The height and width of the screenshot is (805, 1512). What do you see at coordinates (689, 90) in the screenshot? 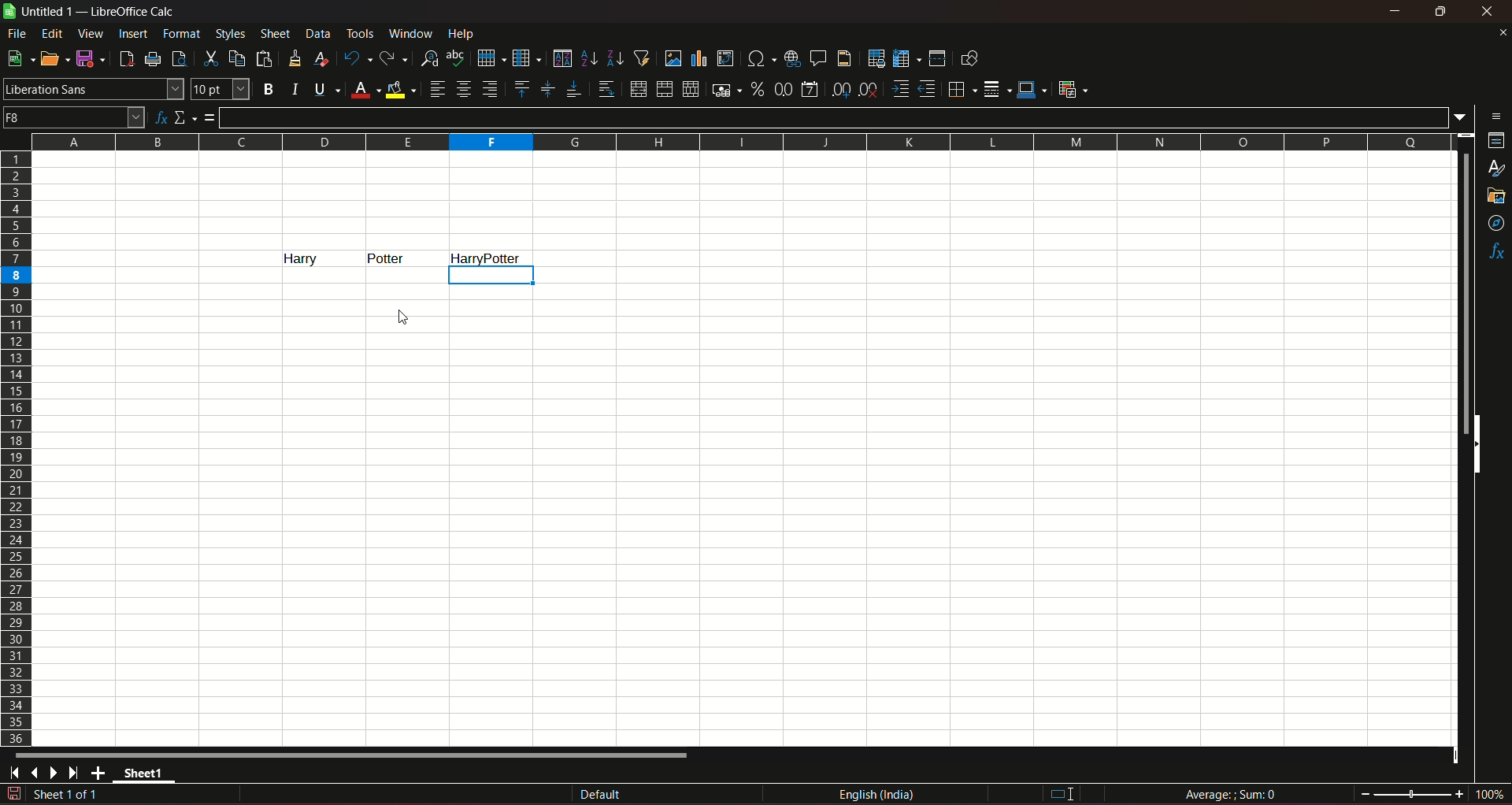
I see `unmerge` at bounding box center [689, 90].